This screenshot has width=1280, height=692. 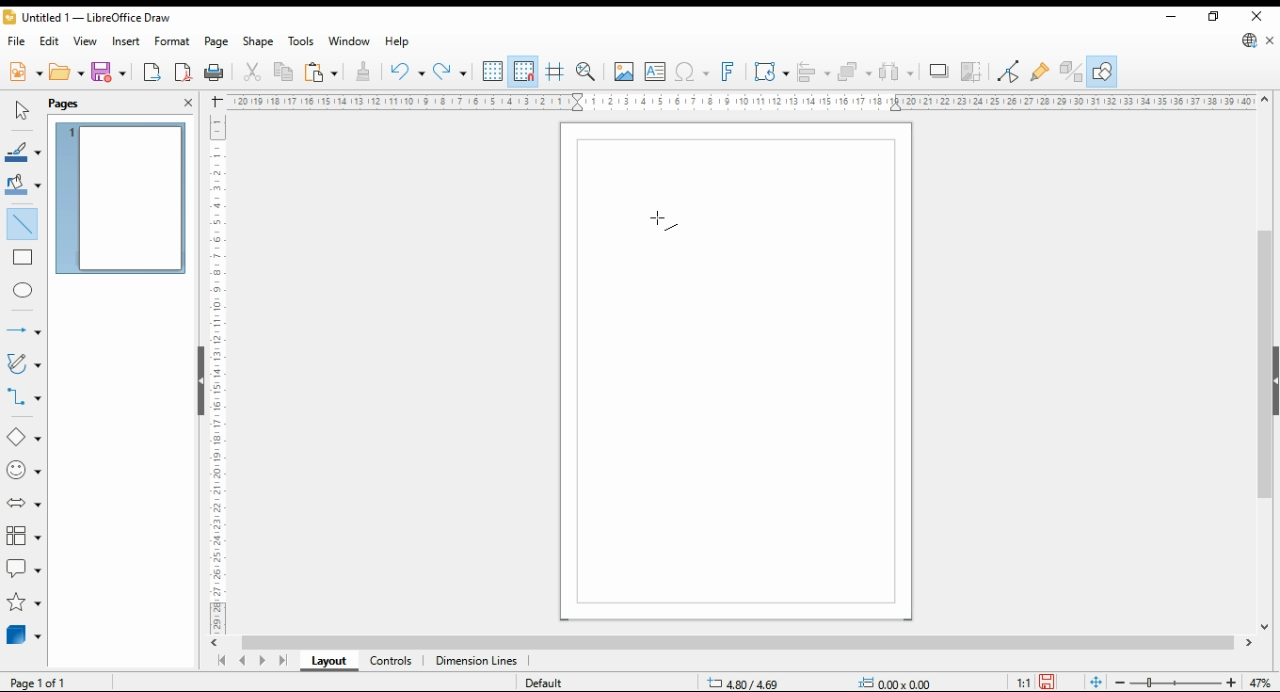 What do you see at coordinates (23, 471) in the screenshot?
I see `symbol shapes` at bounding box center [23, 471].